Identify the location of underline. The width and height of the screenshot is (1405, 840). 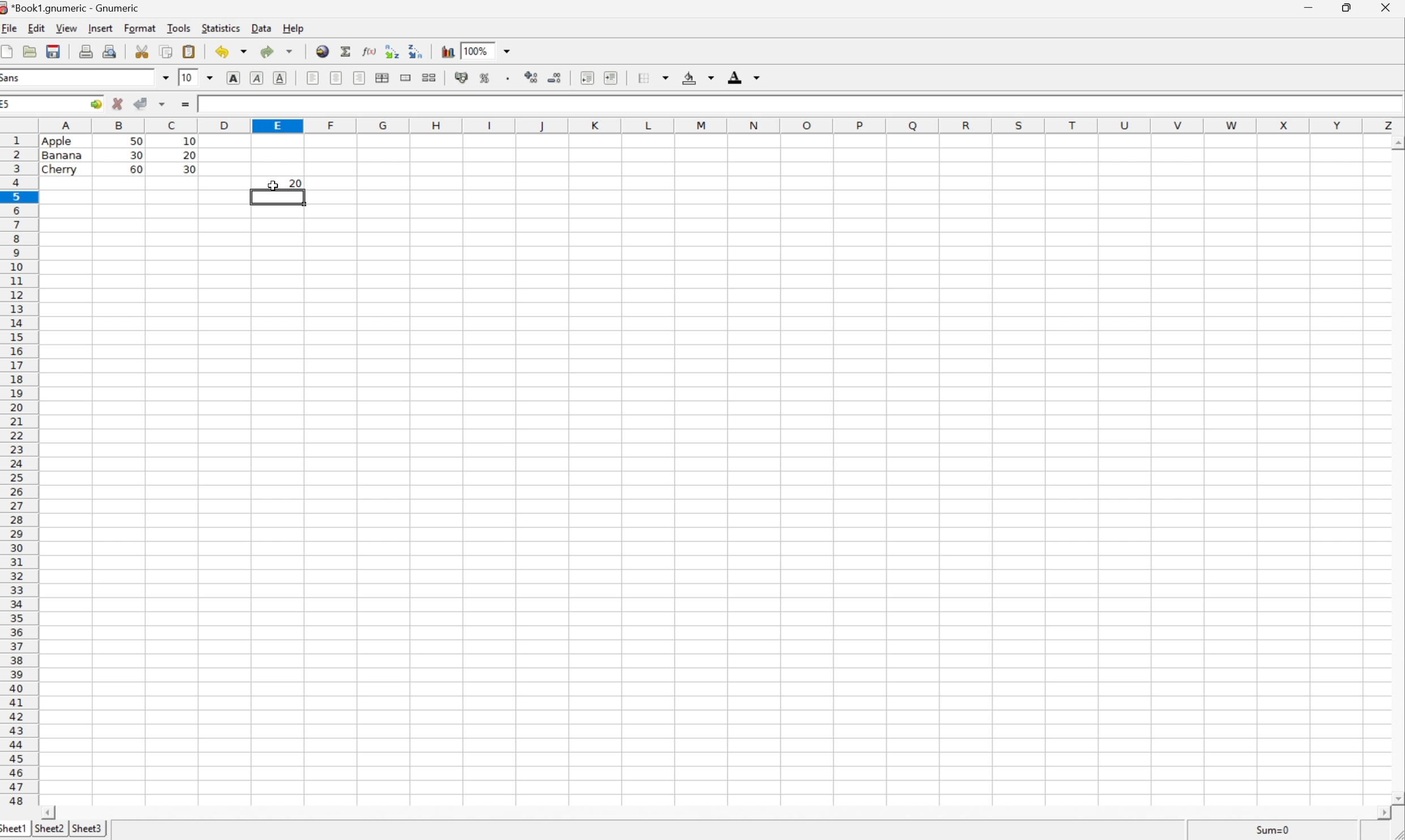
(282, 78).